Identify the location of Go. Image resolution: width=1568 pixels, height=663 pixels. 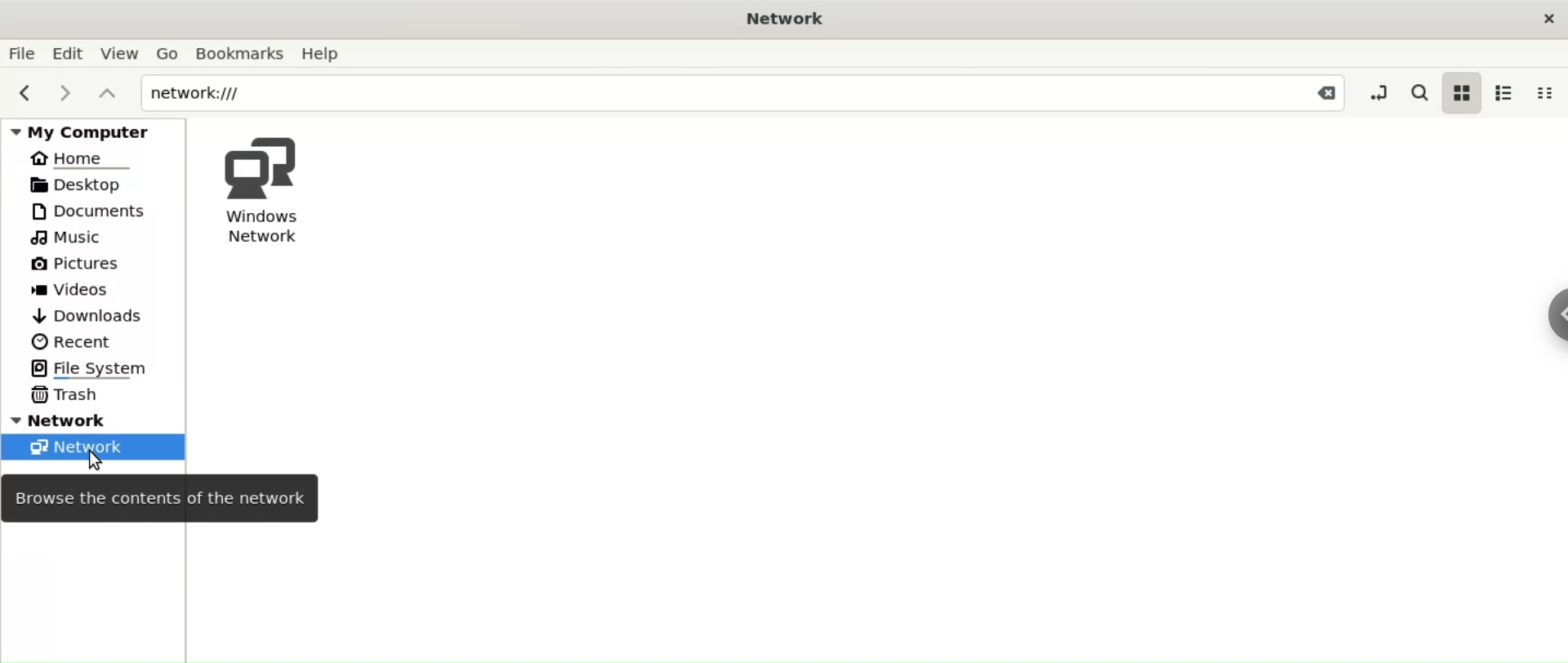
(165, 52).